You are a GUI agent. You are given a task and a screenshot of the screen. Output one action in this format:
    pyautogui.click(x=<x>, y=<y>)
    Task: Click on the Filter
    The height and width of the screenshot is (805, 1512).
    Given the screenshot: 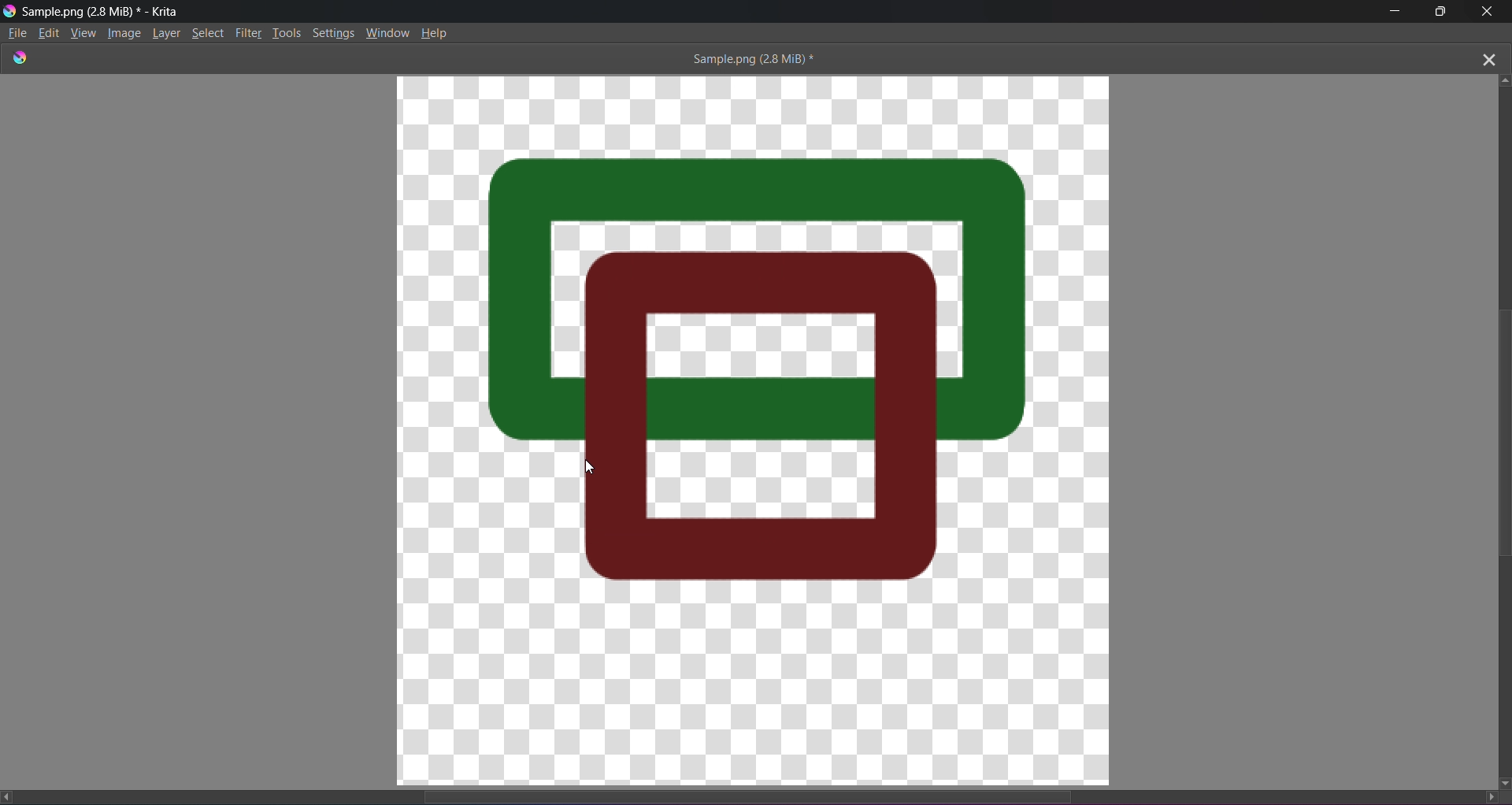 What is the action you would take?
    pyautogui.click(x=250, y=32)
    